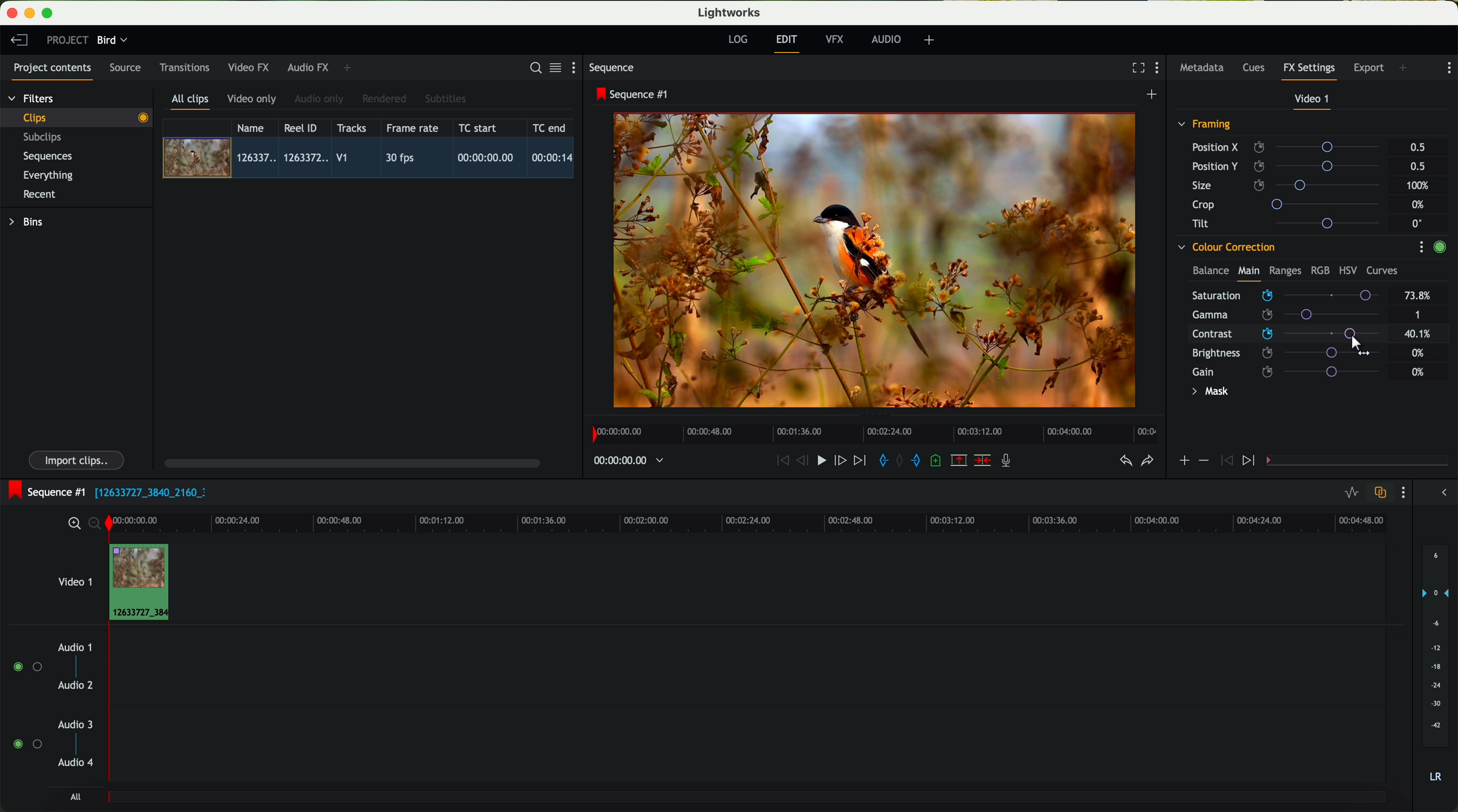 The image size is (1458, 812). Describe the element at coordinates (28, 222) in the screenshot. I see `bins` at that location.